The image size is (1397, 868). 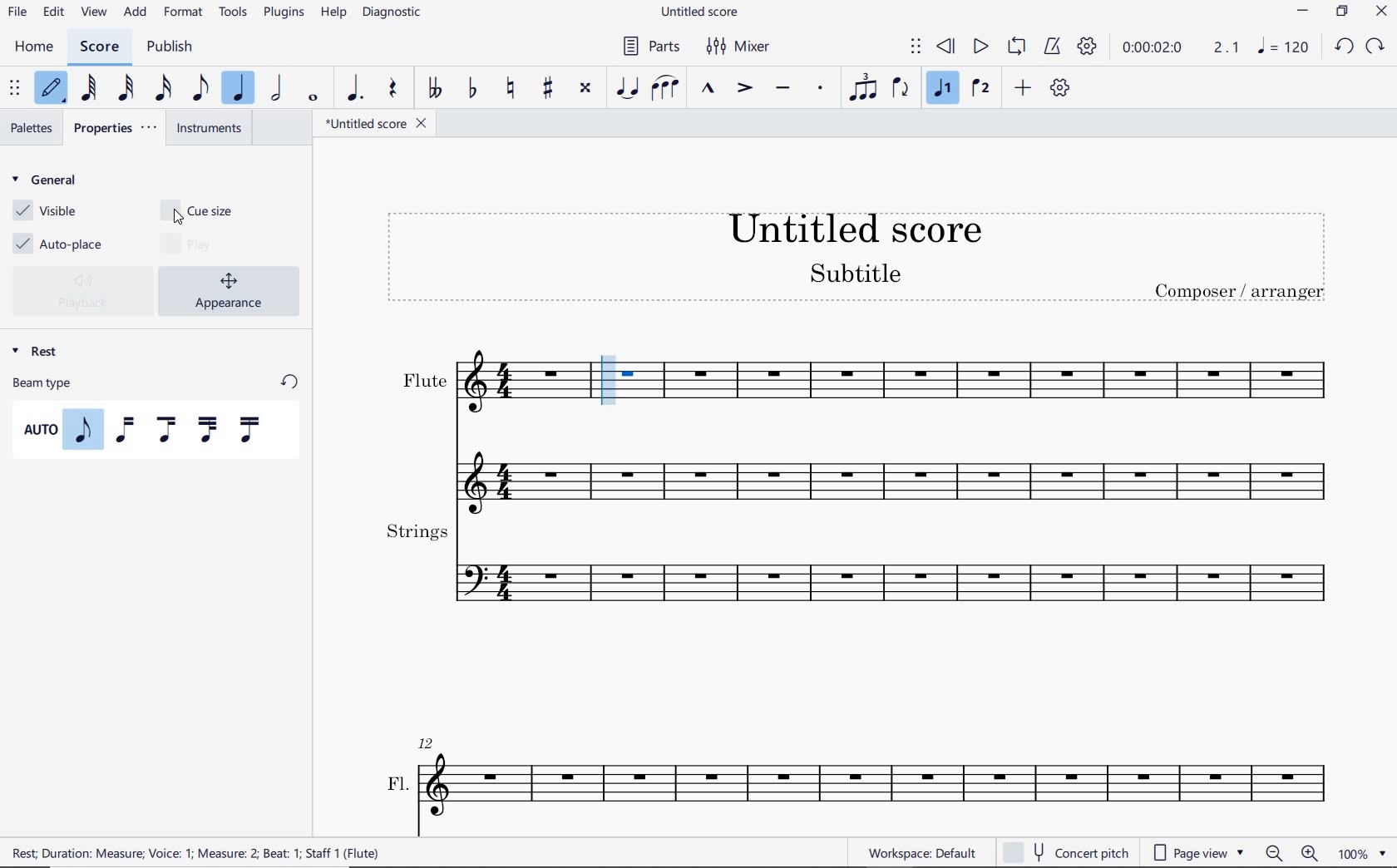 What do you see at coordinates (436, 89) in the screenshot?
I see `TOGGLE DOUBLE-FLAT` at bounding box center [436, 89].